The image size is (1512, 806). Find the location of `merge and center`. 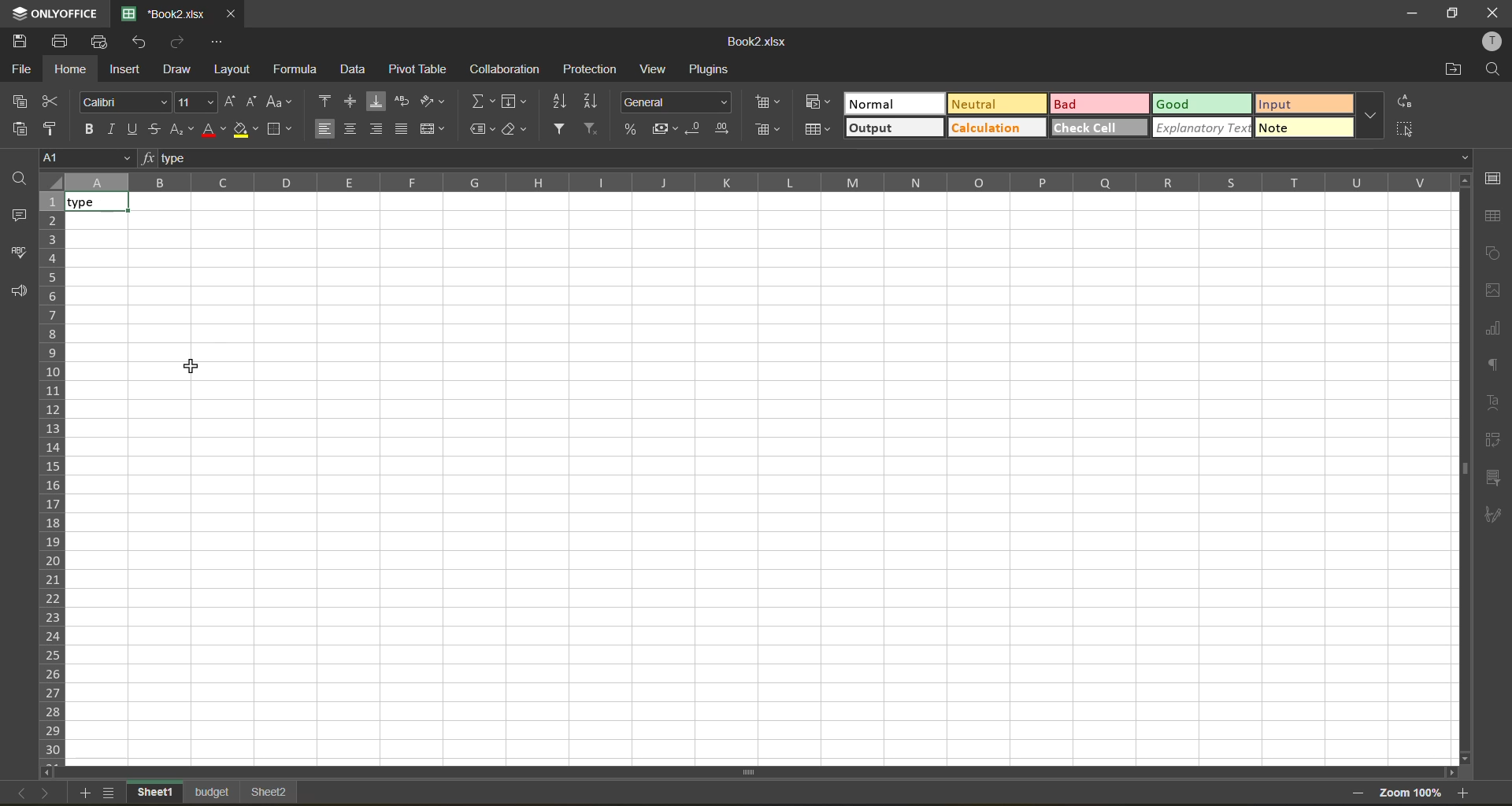

merge and center is located at coordinates (434, 128).